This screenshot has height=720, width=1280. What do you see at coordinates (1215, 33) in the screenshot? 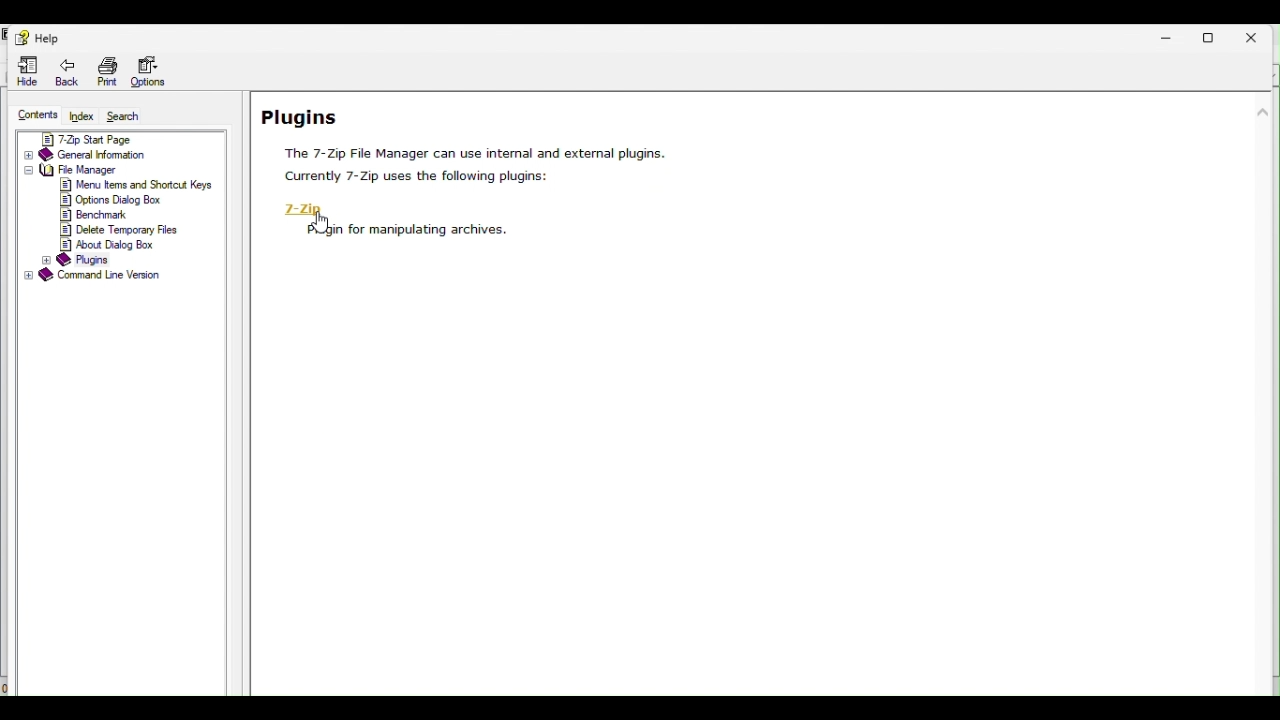
I see `Restore` at bounding box center [1215, 33].